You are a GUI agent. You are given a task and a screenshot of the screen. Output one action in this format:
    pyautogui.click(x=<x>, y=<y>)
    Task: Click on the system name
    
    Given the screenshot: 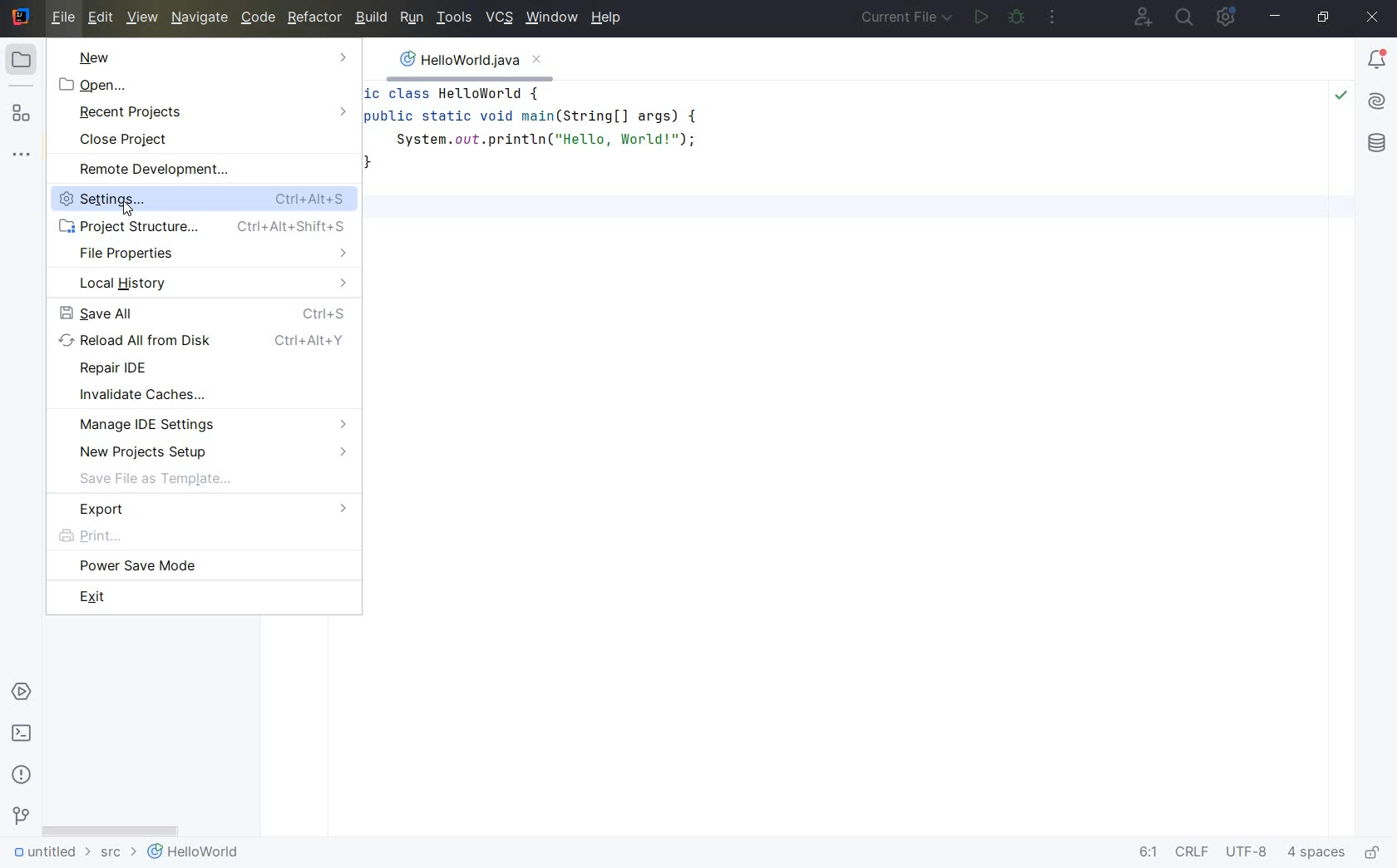 What is the action you would take?
    pyautogui.click(x=20, y=17)
    